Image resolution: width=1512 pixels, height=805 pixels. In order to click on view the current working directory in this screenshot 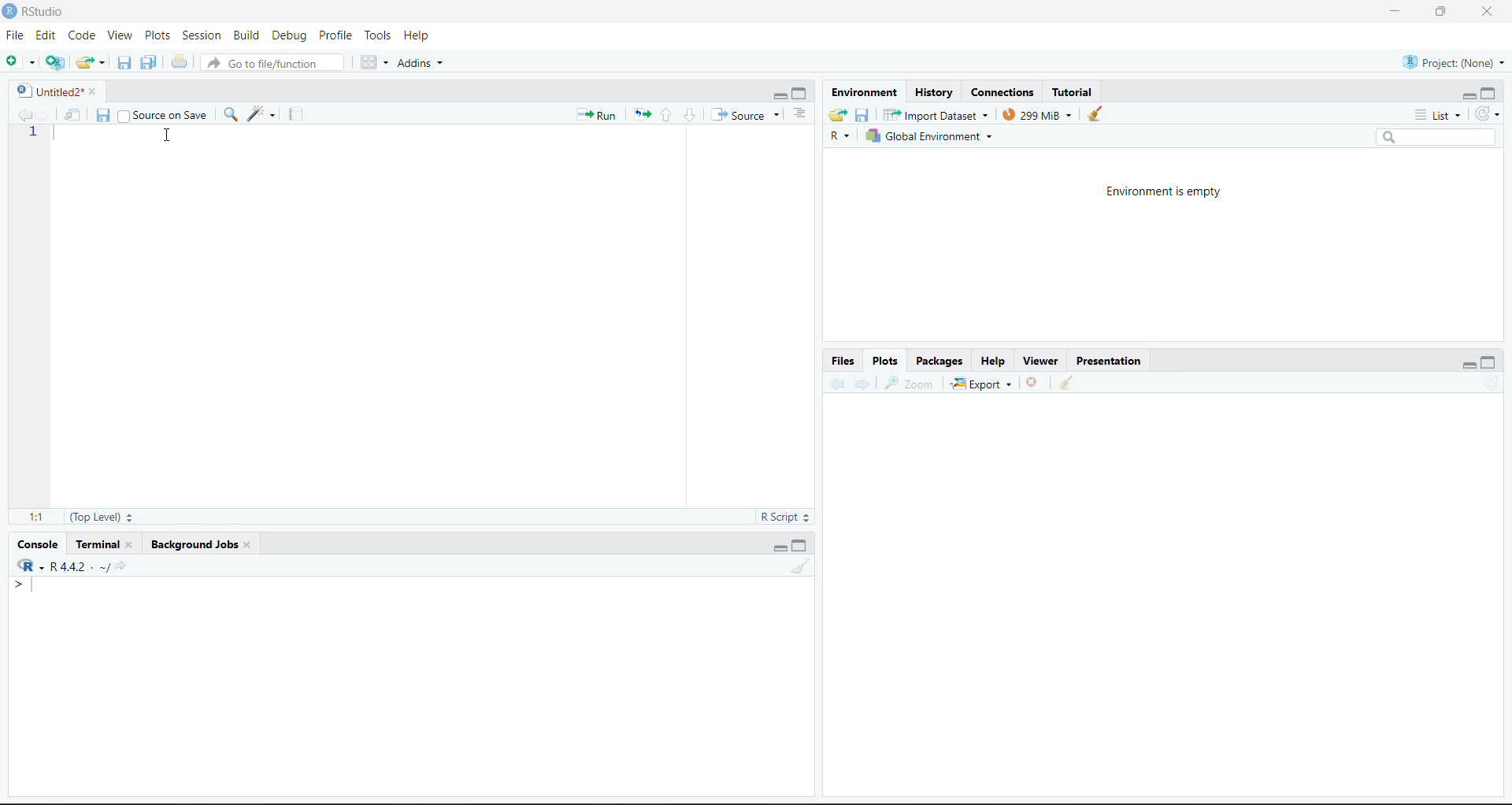, I will do `click(122, 565)`.